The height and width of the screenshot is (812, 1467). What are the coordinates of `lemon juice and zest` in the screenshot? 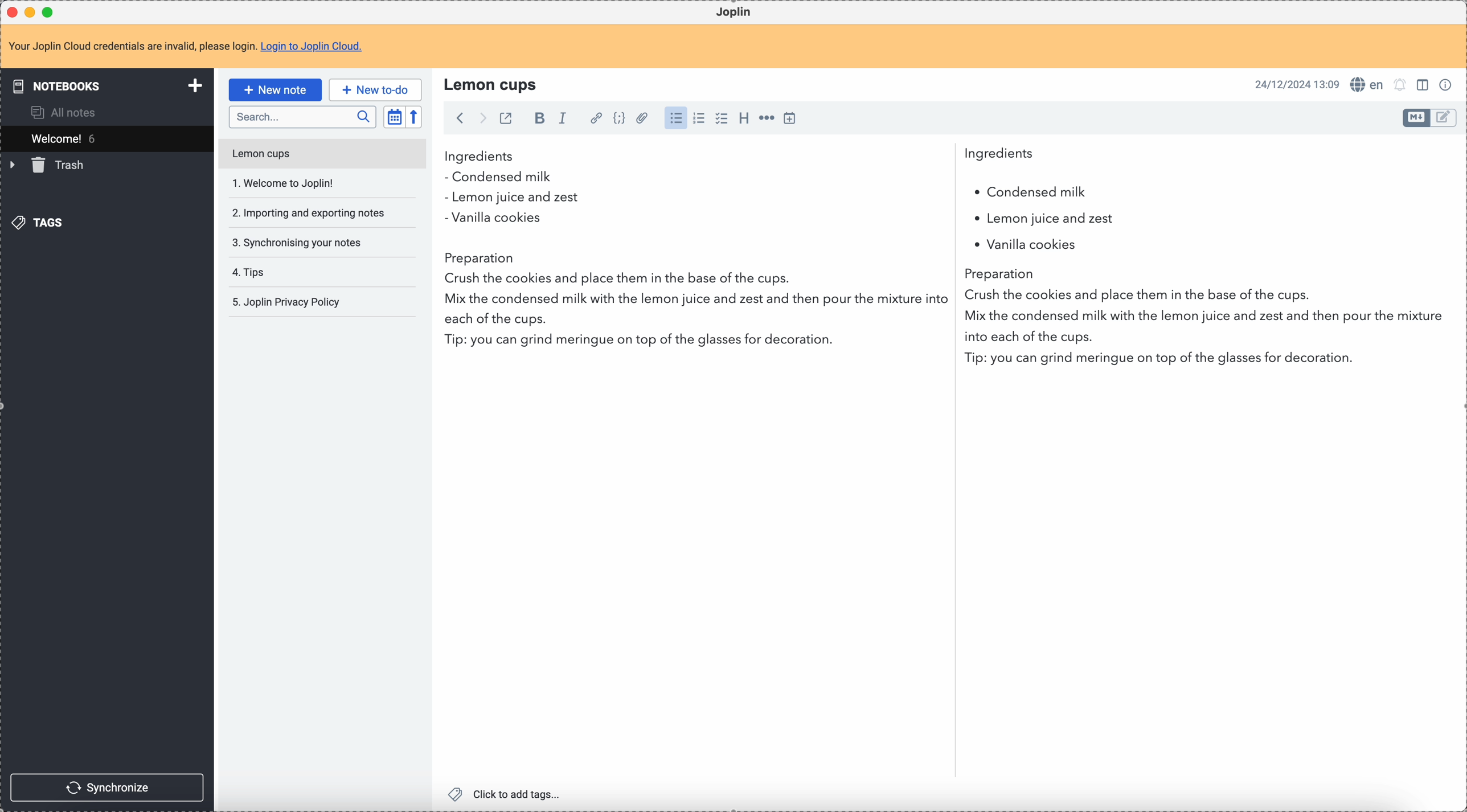 It's located at (1022, 220).